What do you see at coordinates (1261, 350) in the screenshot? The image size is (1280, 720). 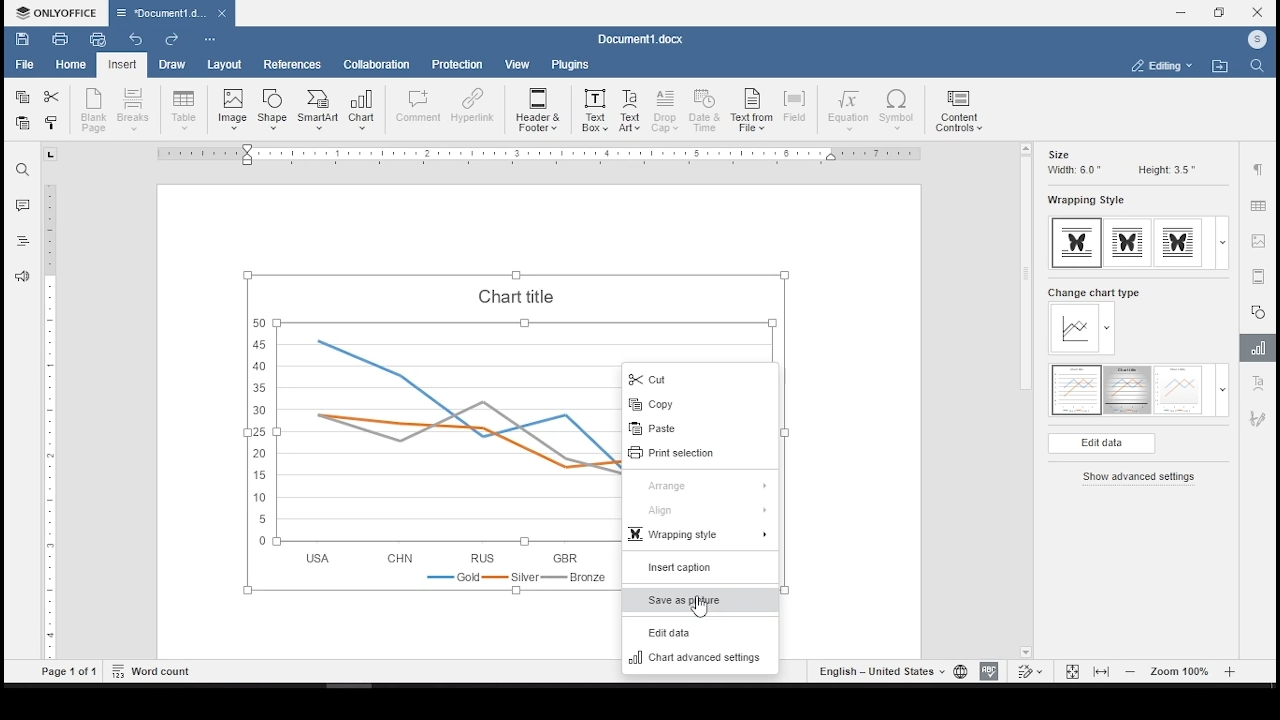 I see `chart settings` at bounding box center [1261, 350].